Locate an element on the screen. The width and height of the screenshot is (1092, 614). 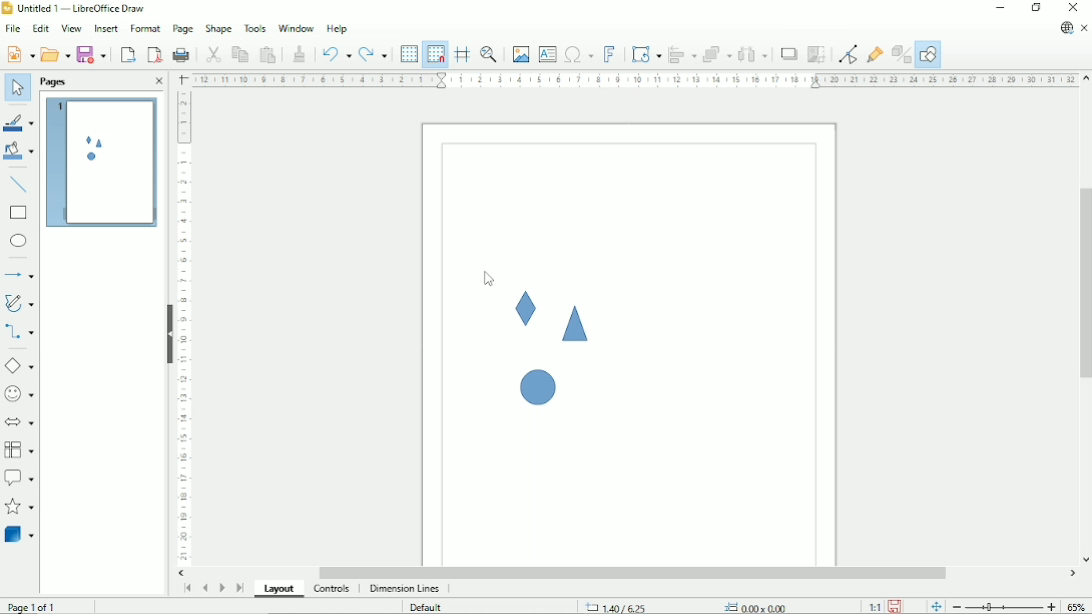
Vertical scroll button is located at coordinates (1085, 560).